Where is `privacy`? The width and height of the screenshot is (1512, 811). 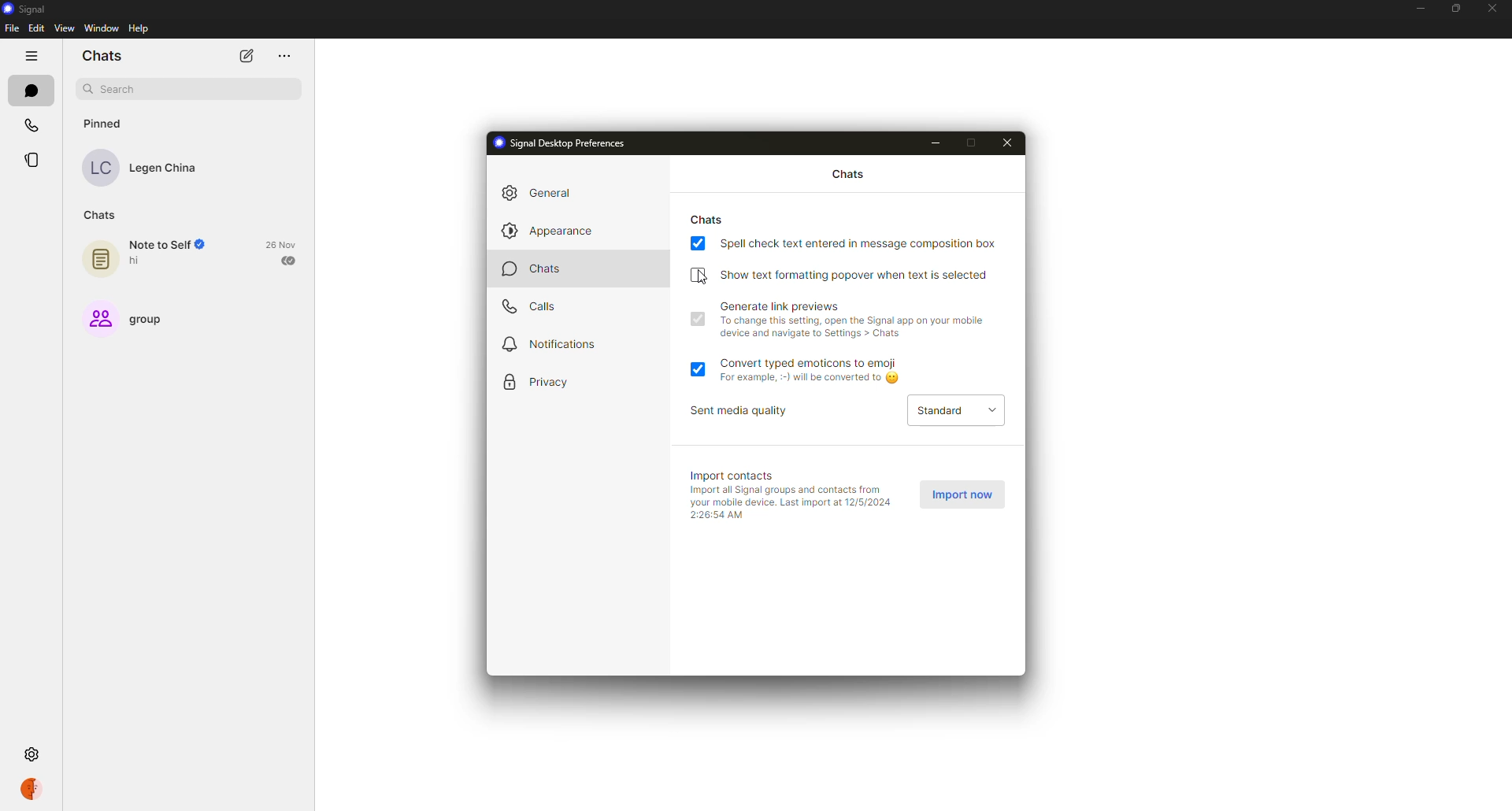 privacy is located at coordinates (545, 383).